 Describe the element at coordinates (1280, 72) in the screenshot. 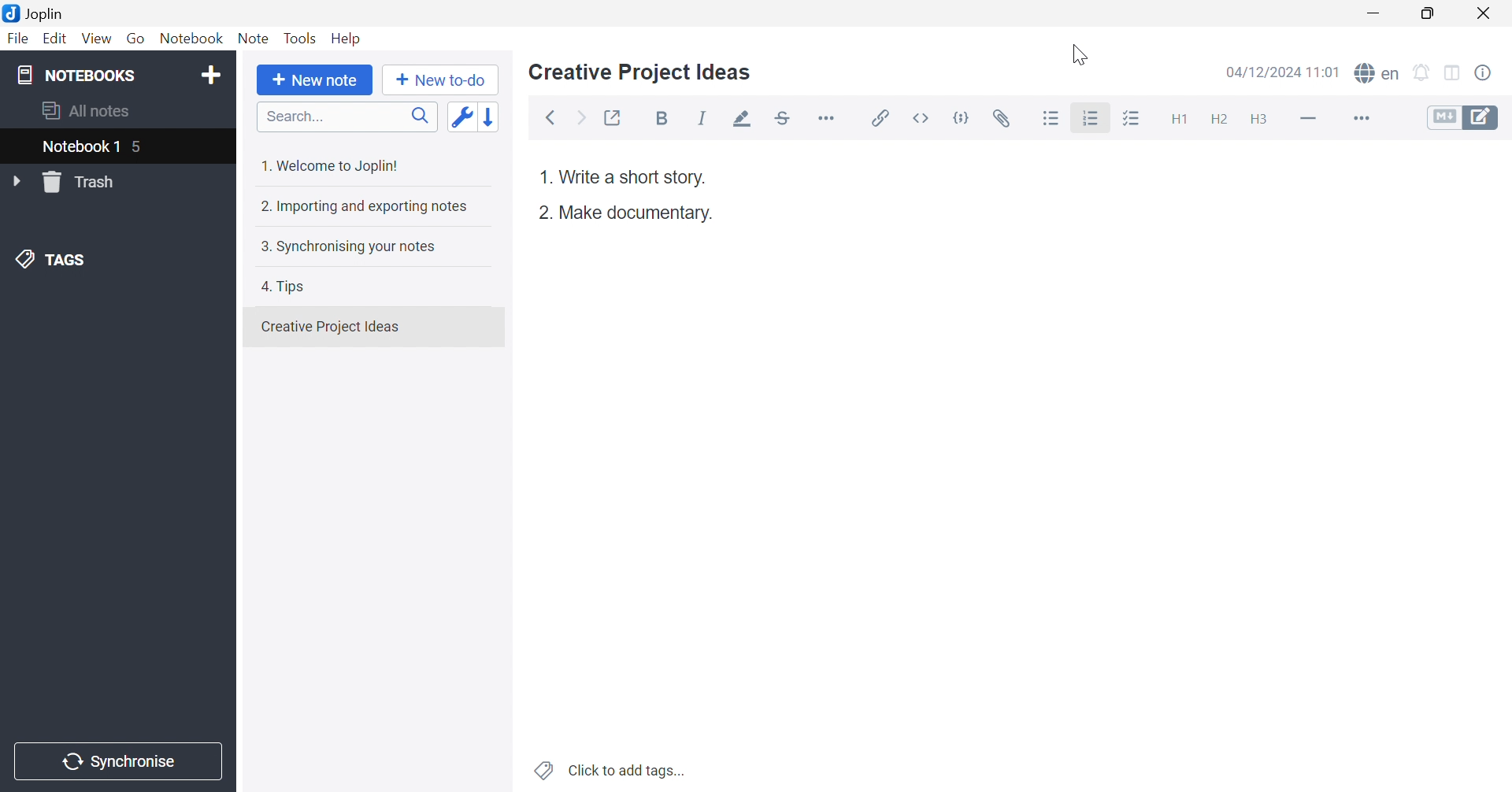

I see `04/12/2024` at that location.